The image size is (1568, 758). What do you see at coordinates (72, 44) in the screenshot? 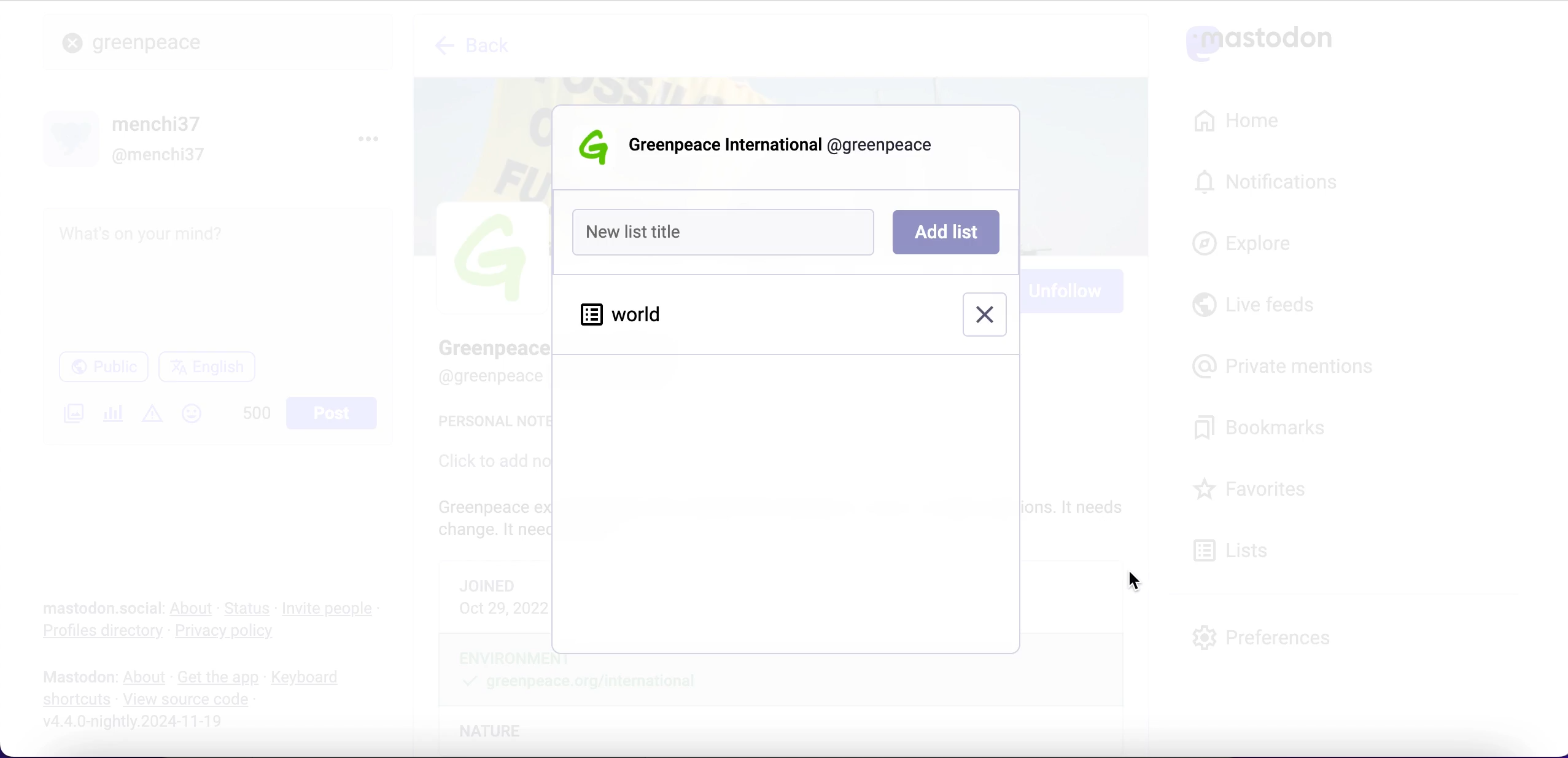
I see `close` at bounding box center [72, 44].